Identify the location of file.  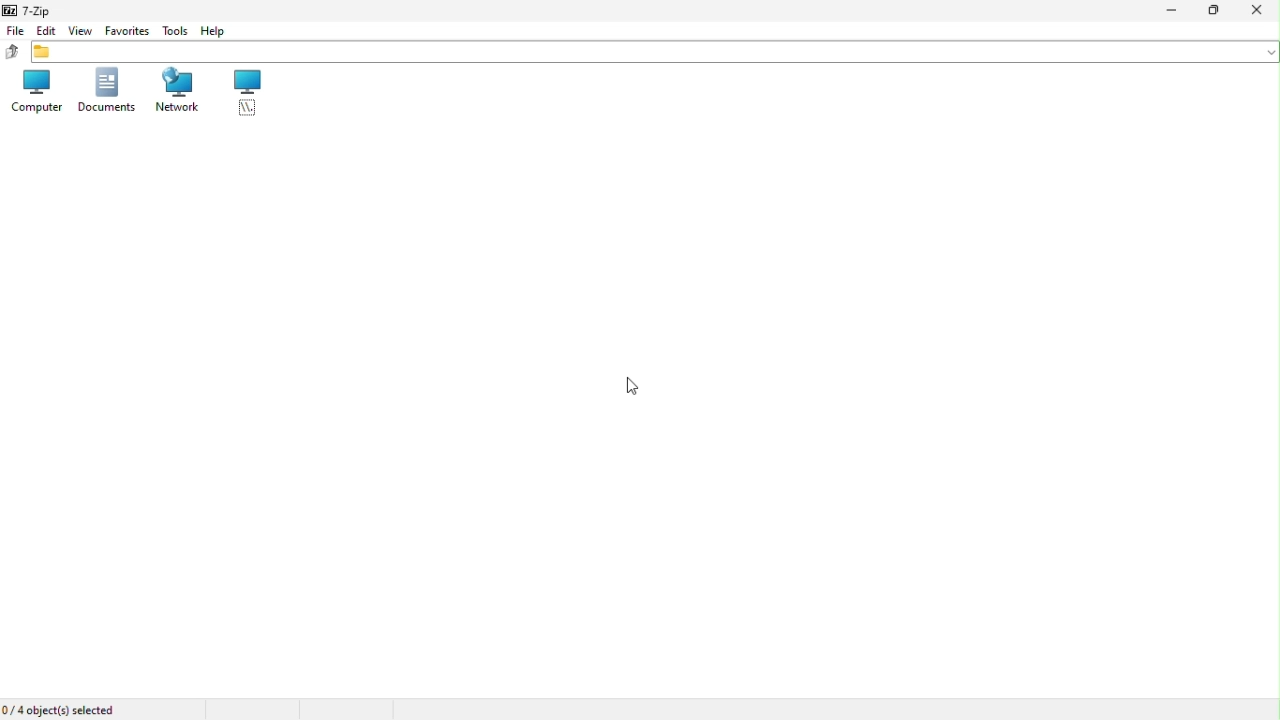
(13, 30).